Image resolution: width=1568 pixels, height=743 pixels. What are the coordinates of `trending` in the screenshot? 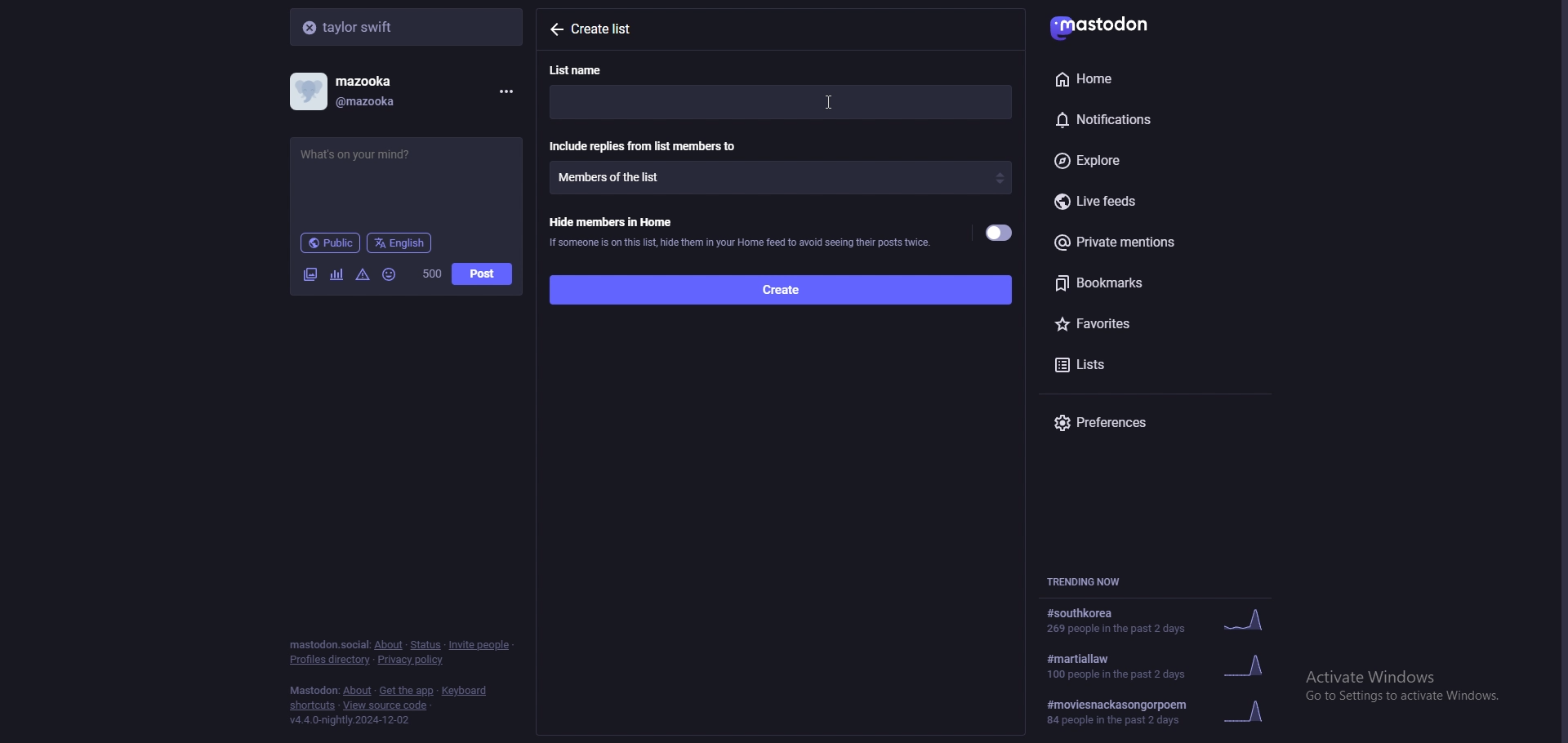 It's located at (1164, 712).